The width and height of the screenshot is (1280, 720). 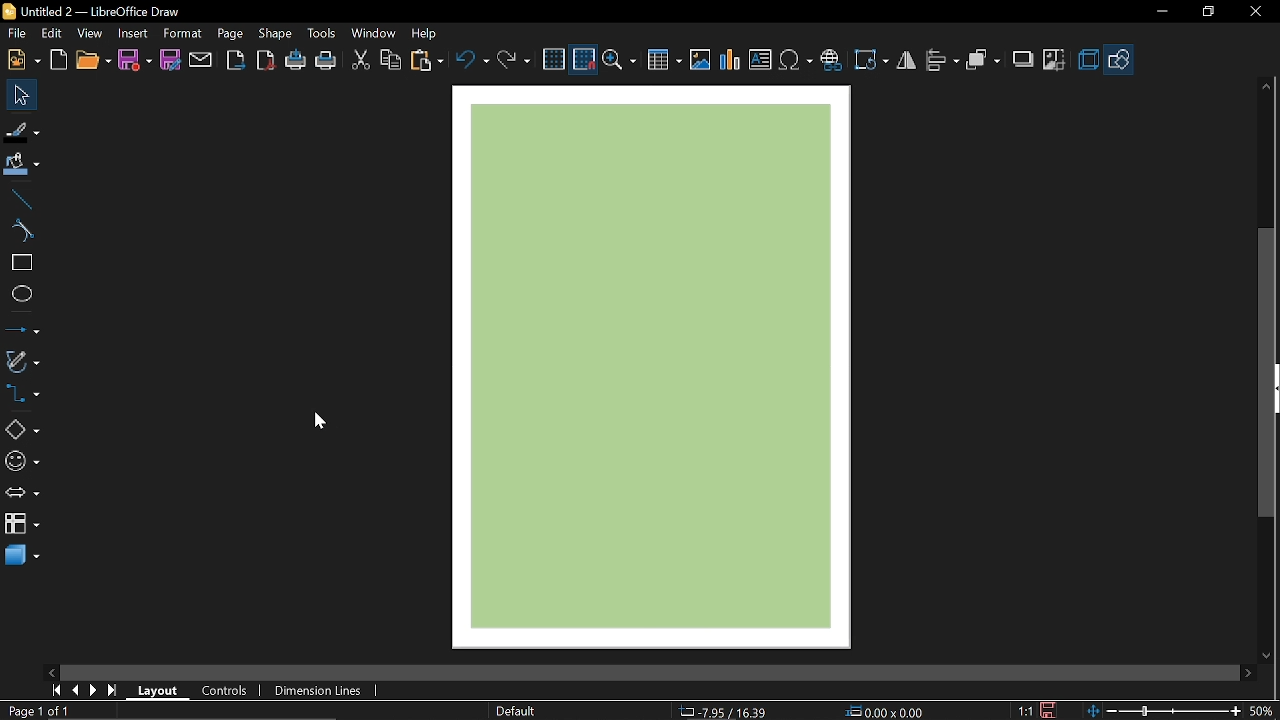 What do you see at coordinates (872, 61) in the screenshot?
I see `Rotate` at bounding box center [872, 61].